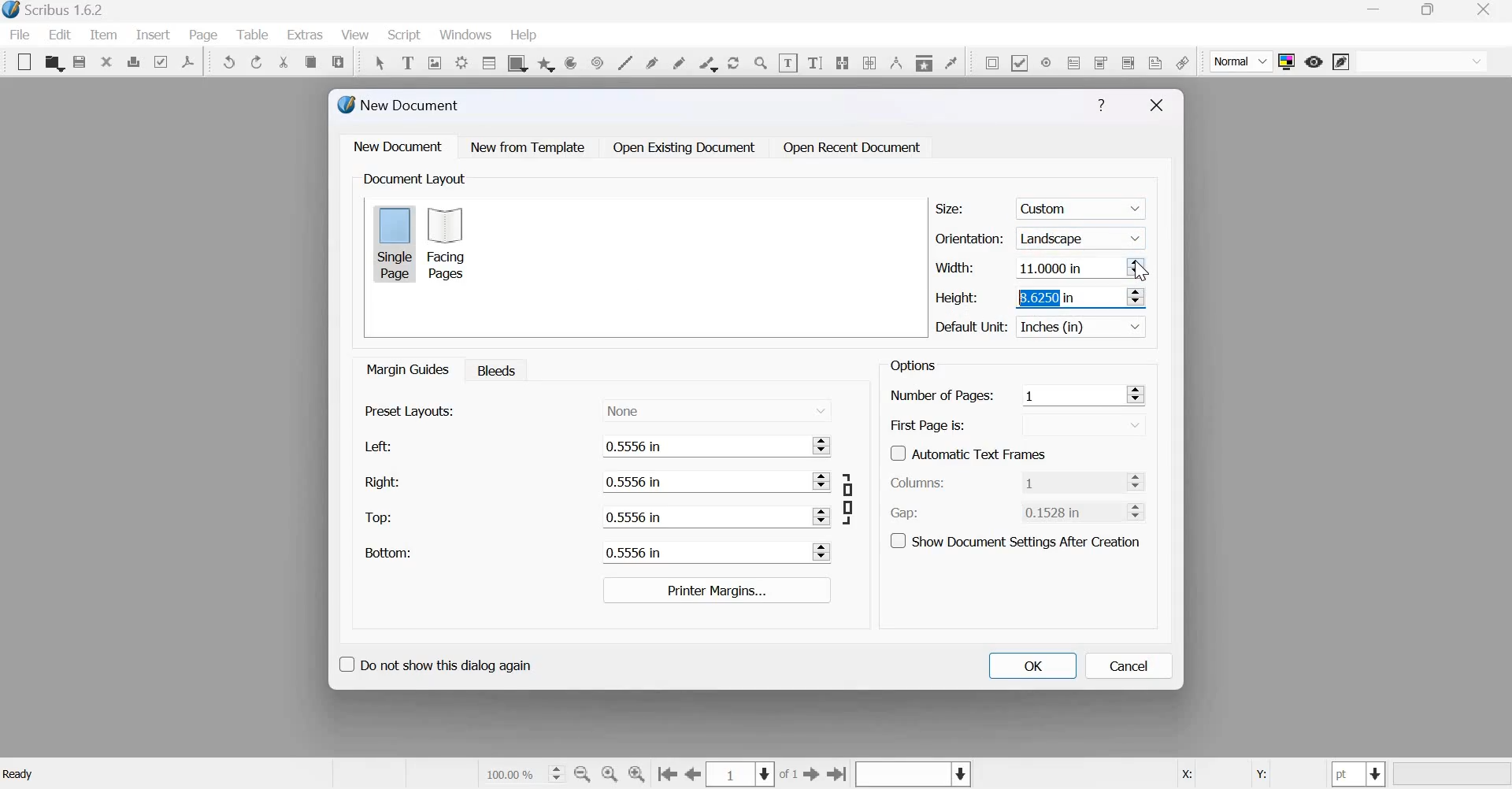  Describe the element at coordinates (1488, 9) in the screenshot. I see `close` at that location.